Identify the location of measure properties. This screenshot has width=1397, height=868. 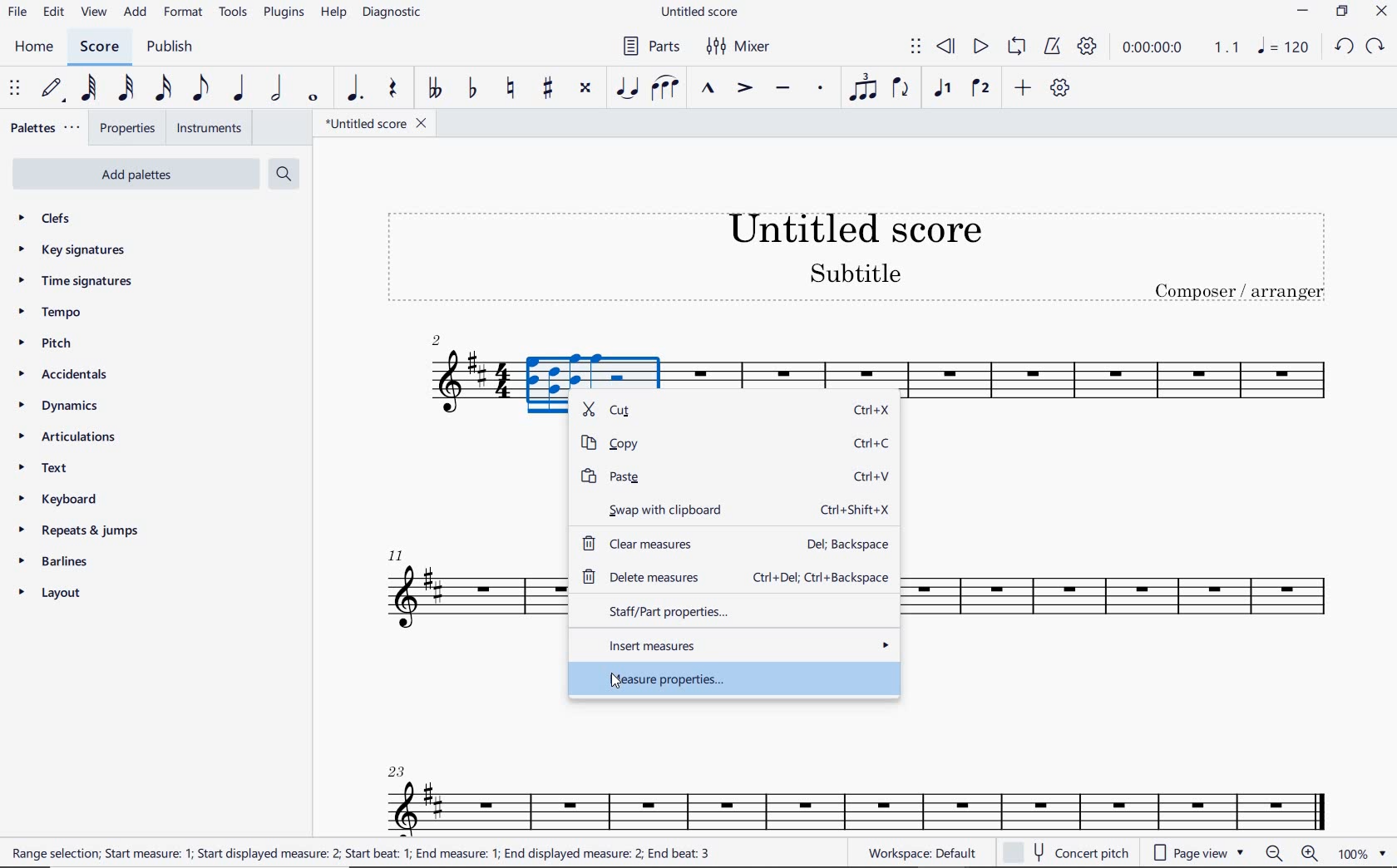
(733, 677).